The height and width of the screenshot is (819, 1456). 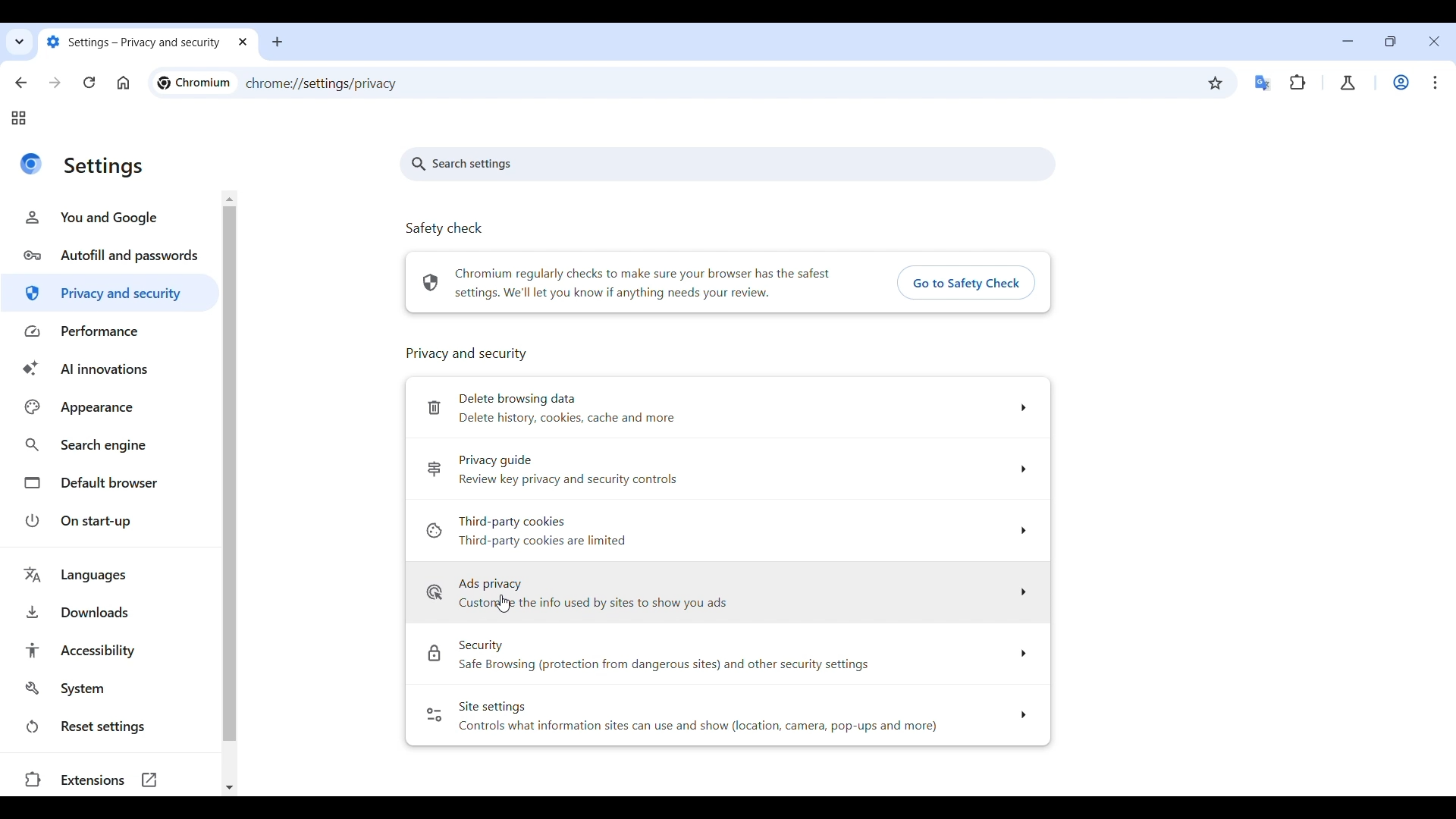 What do you see at coordinates (730, 408) in the screenshot?
I see `Delete browsing data options` at bounding box center [730, 408].